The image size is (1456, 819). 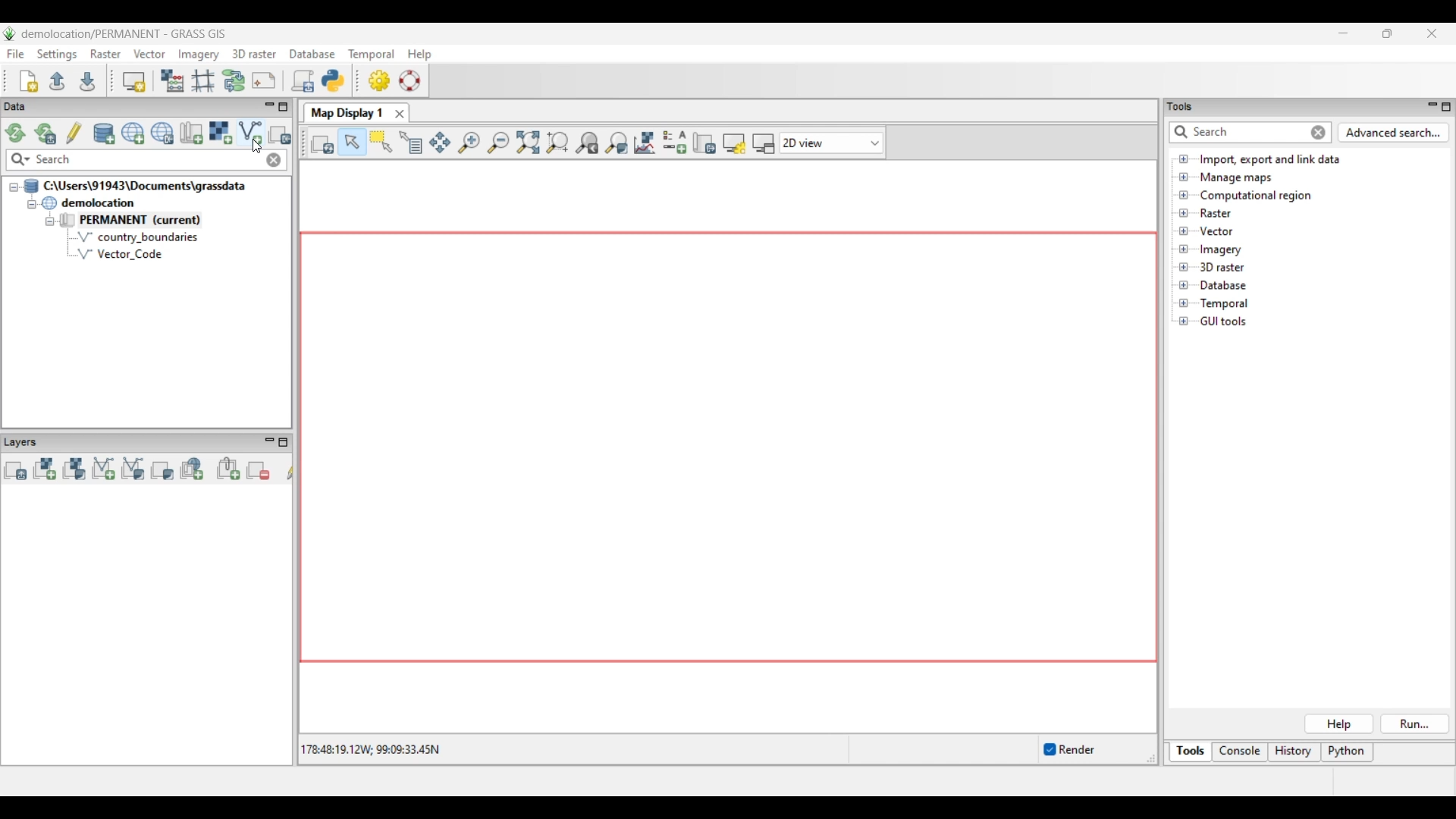 I want to click on cursor, so click(x=259, y=146).